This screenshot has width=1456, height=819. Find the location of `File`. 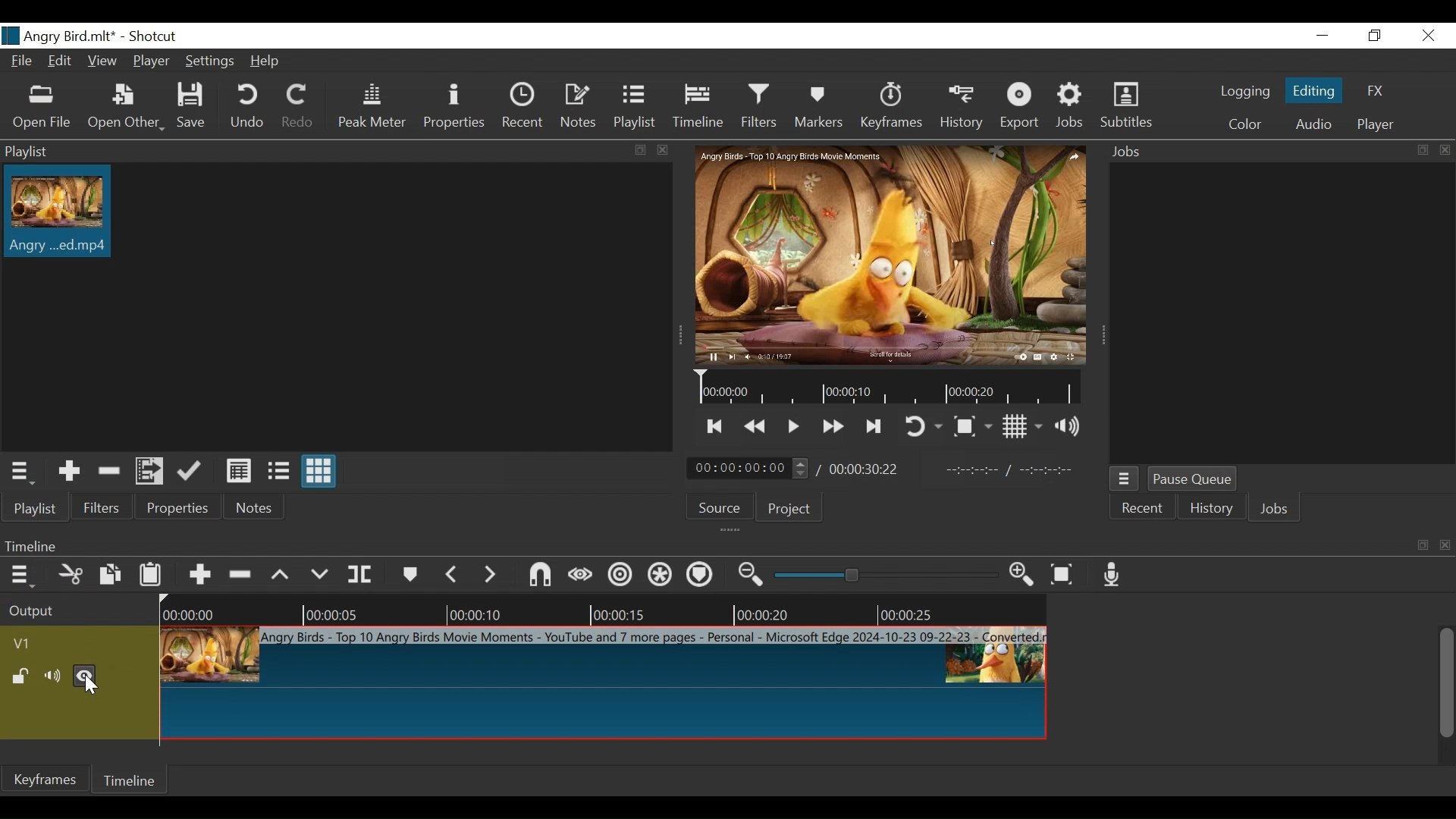

File is located at coordinates (20, 60).